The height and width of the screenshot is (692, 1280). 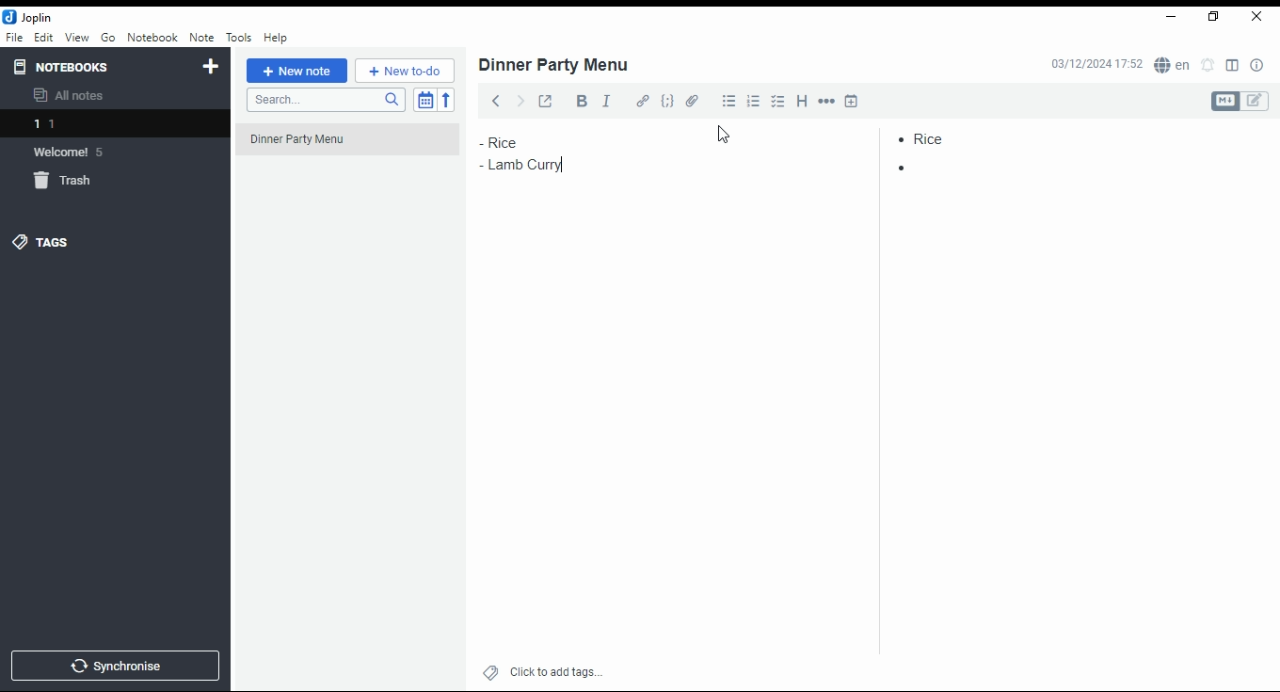 What do you see at coordinates (492, 99) in the screenshot?
I see `back` at bounding box center [492, 99].